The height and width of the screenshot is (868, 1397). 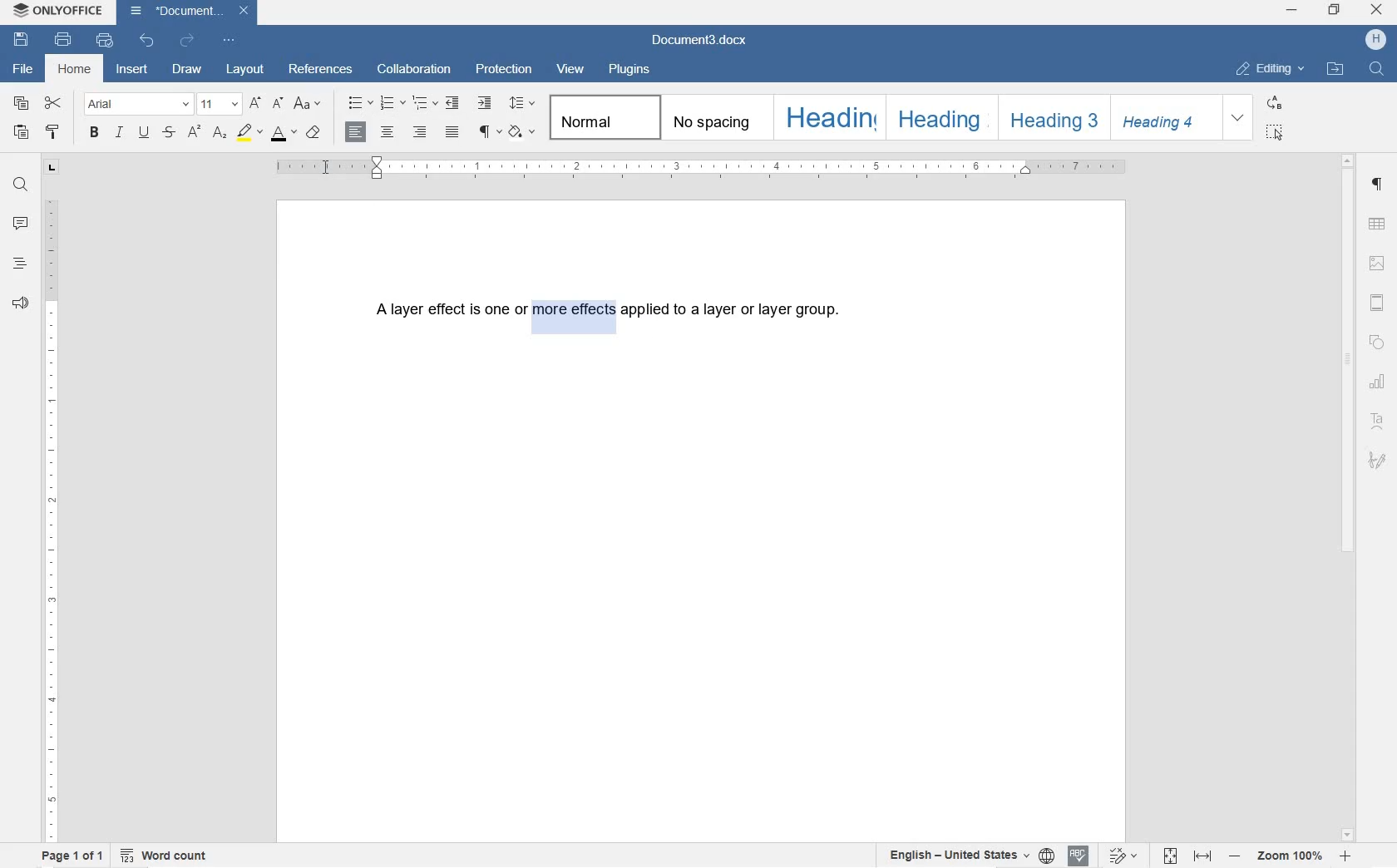 What do you see at coordinates (353, 131) in the screenshot?
I see `ALIGN LEFT` at bounding box center [353, 131].